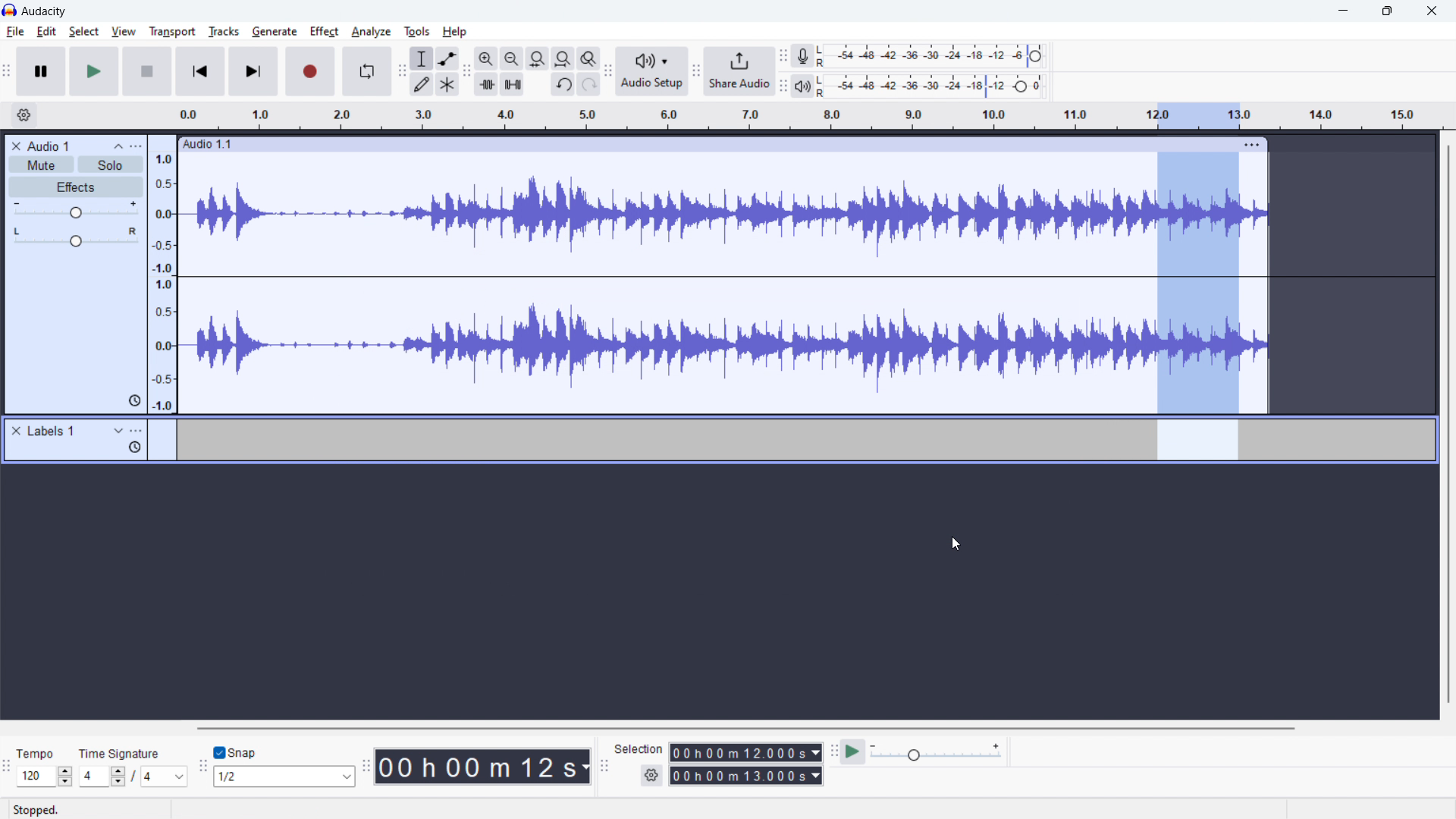 This screenshot has height=819, width=1456. Describe the element at coordinates (16, 32) in the screenshot. I see `file` at that location.